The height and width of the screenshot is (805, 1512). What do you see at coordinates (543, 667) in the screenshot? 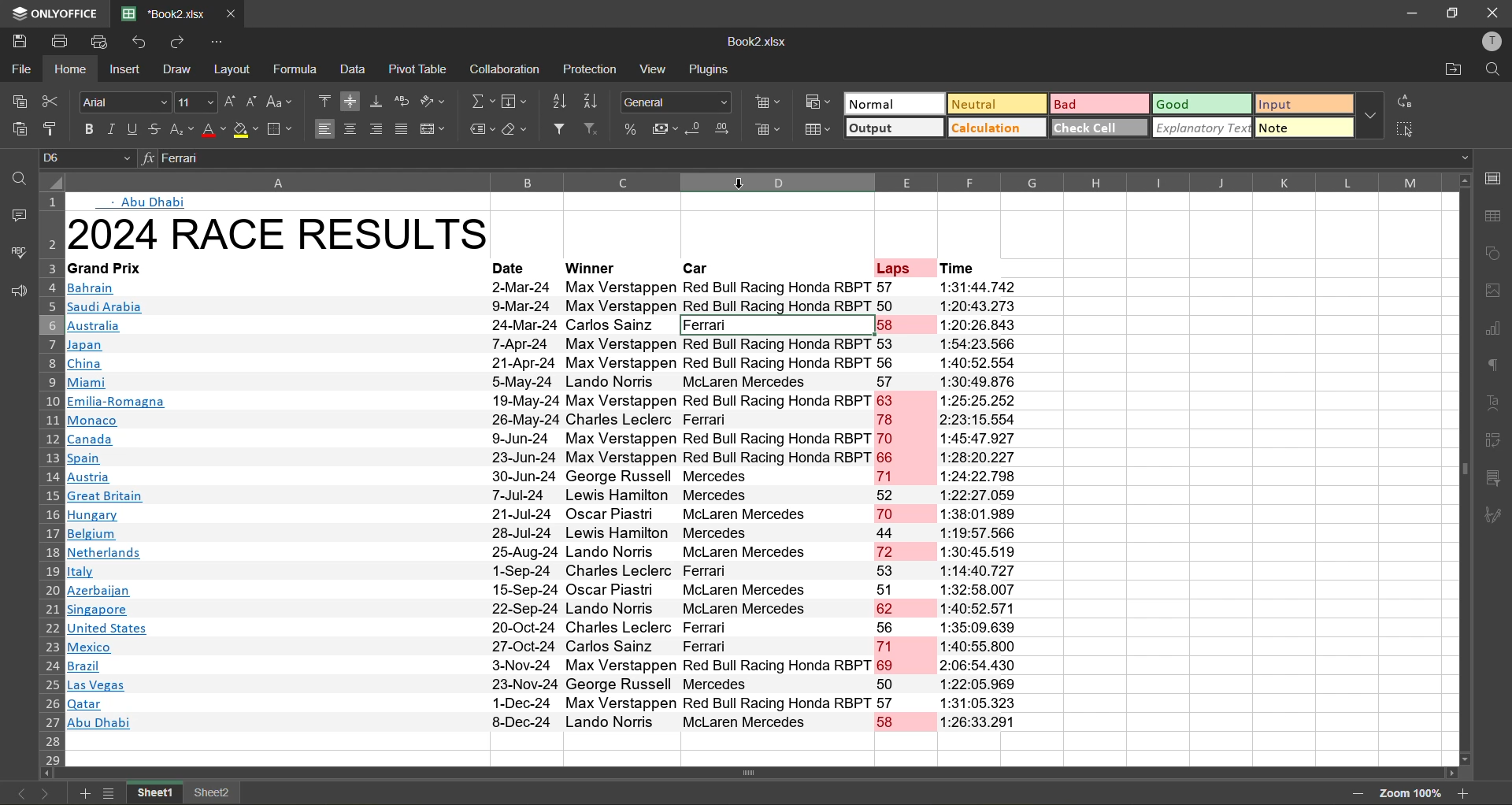
I see `IB razil 3-Nov-24 Max Verstappen Red Bull Racing Honda RBPT 69 2:06:54.430` at bounding box center [543, 667].